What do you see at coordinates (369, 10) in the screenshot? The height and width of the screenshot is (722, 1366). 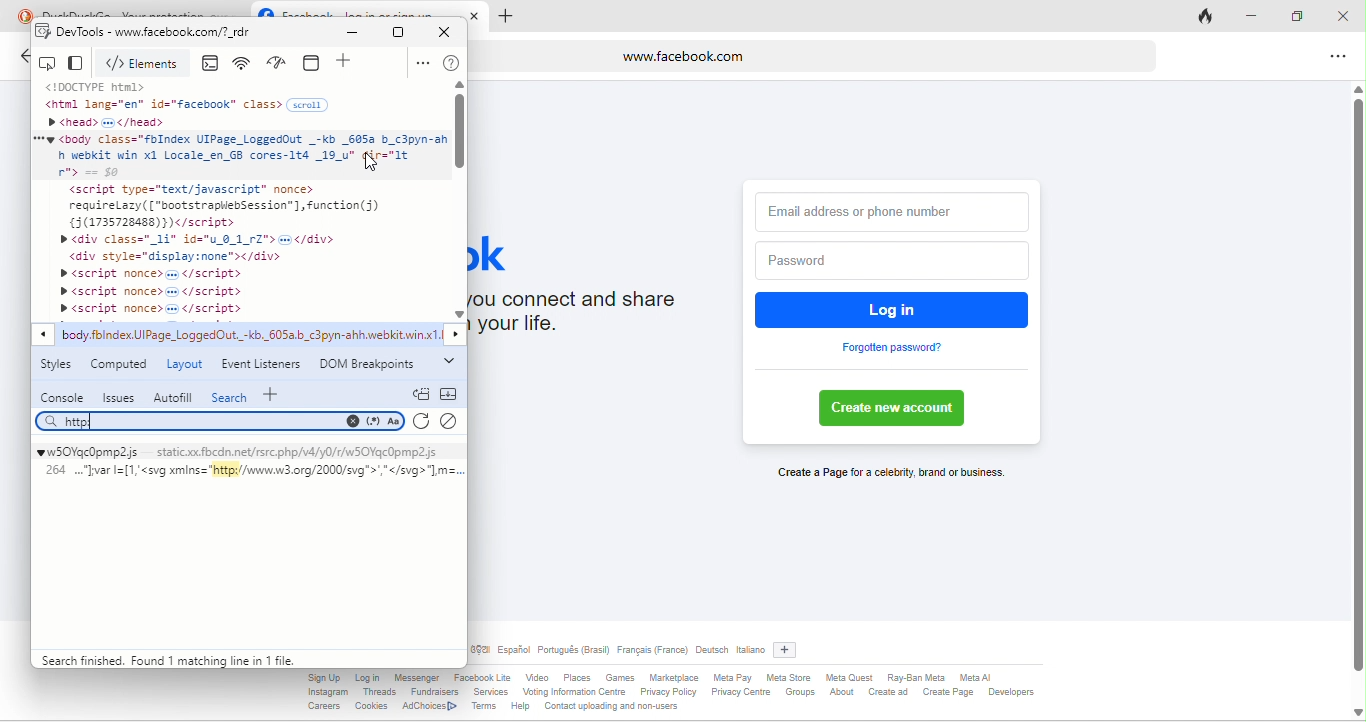 I see `facebook-log in or sign in` at bounding box center [369, 10].